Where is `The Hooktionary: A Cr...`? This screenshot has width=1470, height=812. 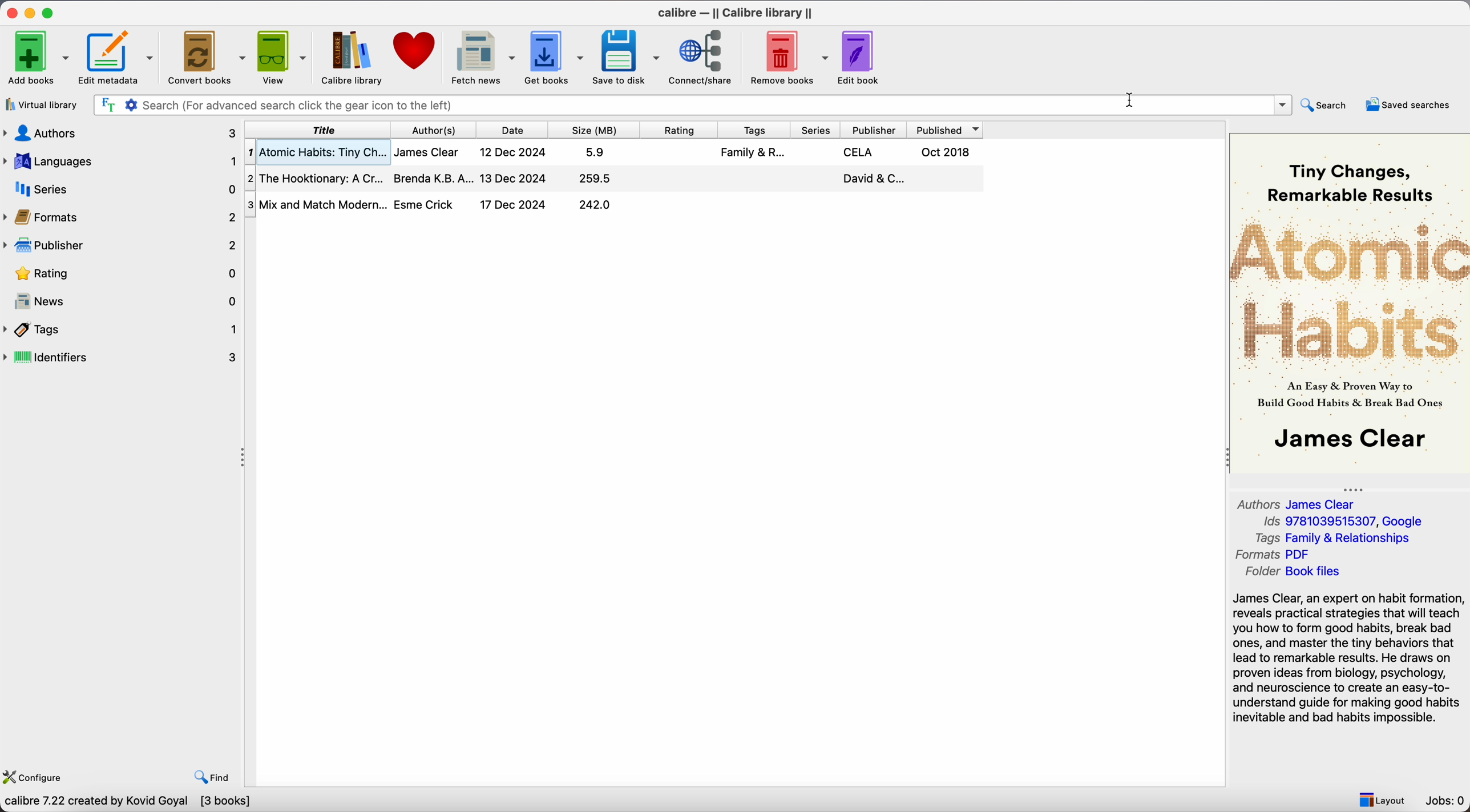 The Hooktionary: A Cr... is located at coordinates (320, 178).